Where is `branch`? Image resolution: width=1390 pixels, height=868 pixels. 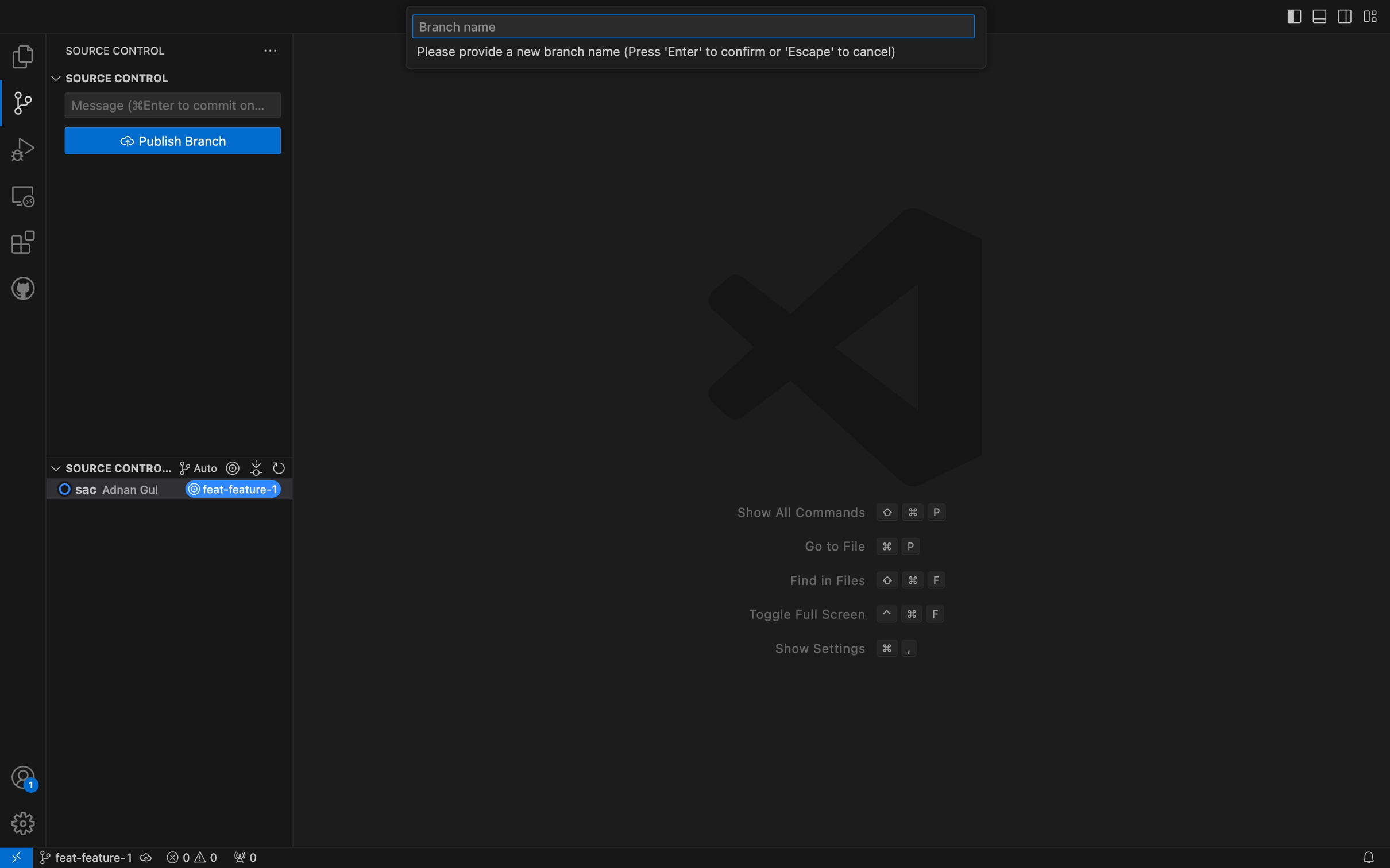 branch is located at coordinates (94, 855).